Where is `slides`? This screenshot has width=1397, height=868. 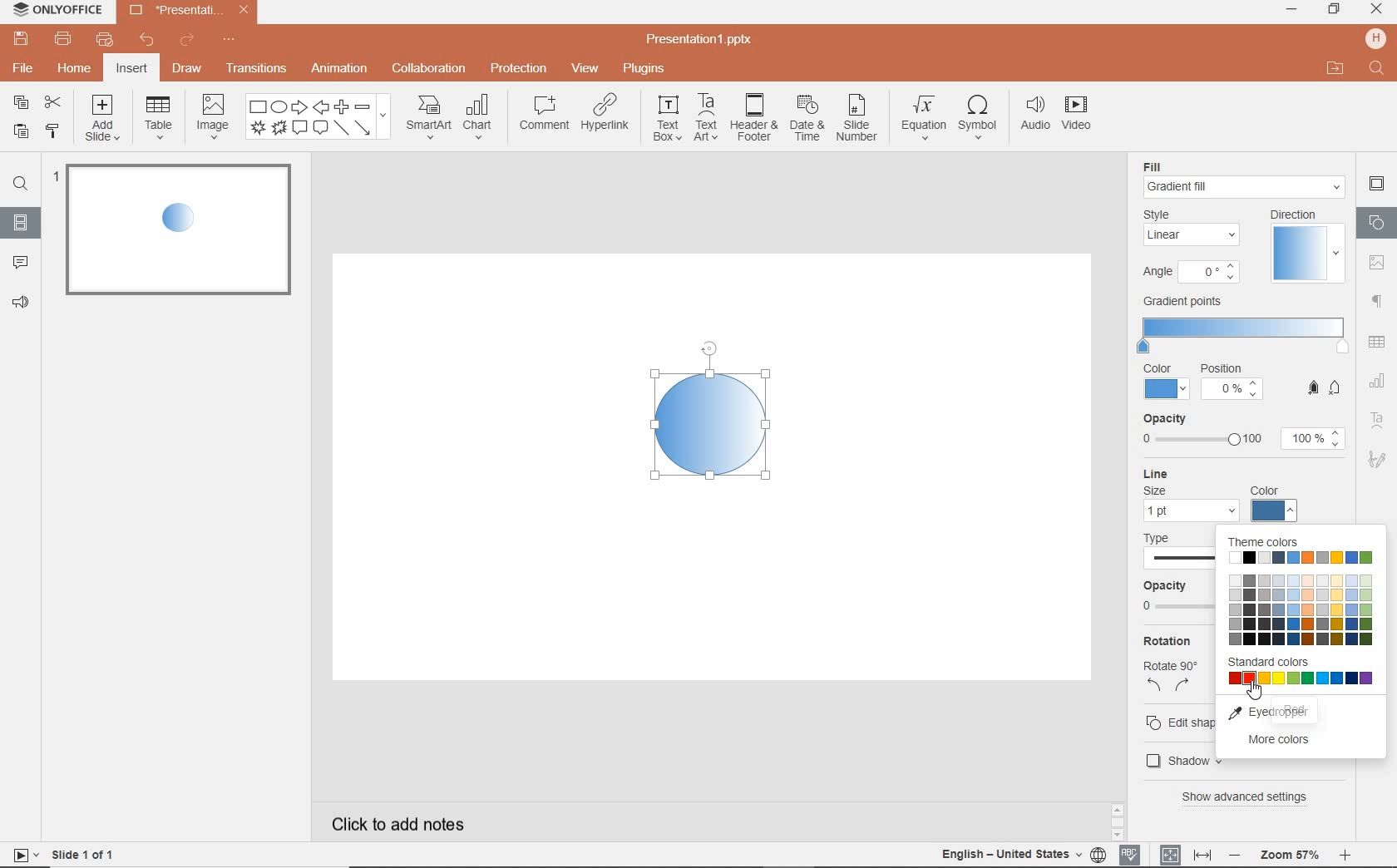
slides is located at coordinates (21, 225).